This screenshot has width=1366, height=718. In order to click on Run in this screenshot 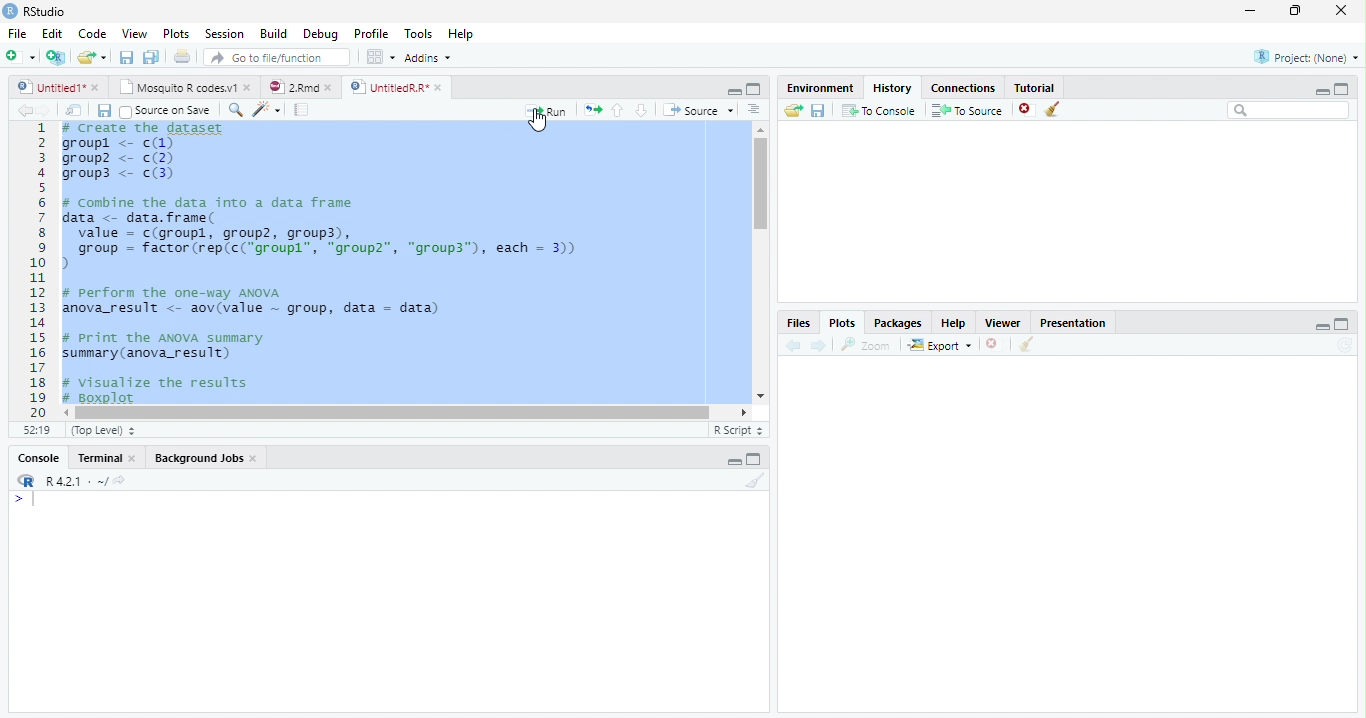, I will do `click(546, 110)`.